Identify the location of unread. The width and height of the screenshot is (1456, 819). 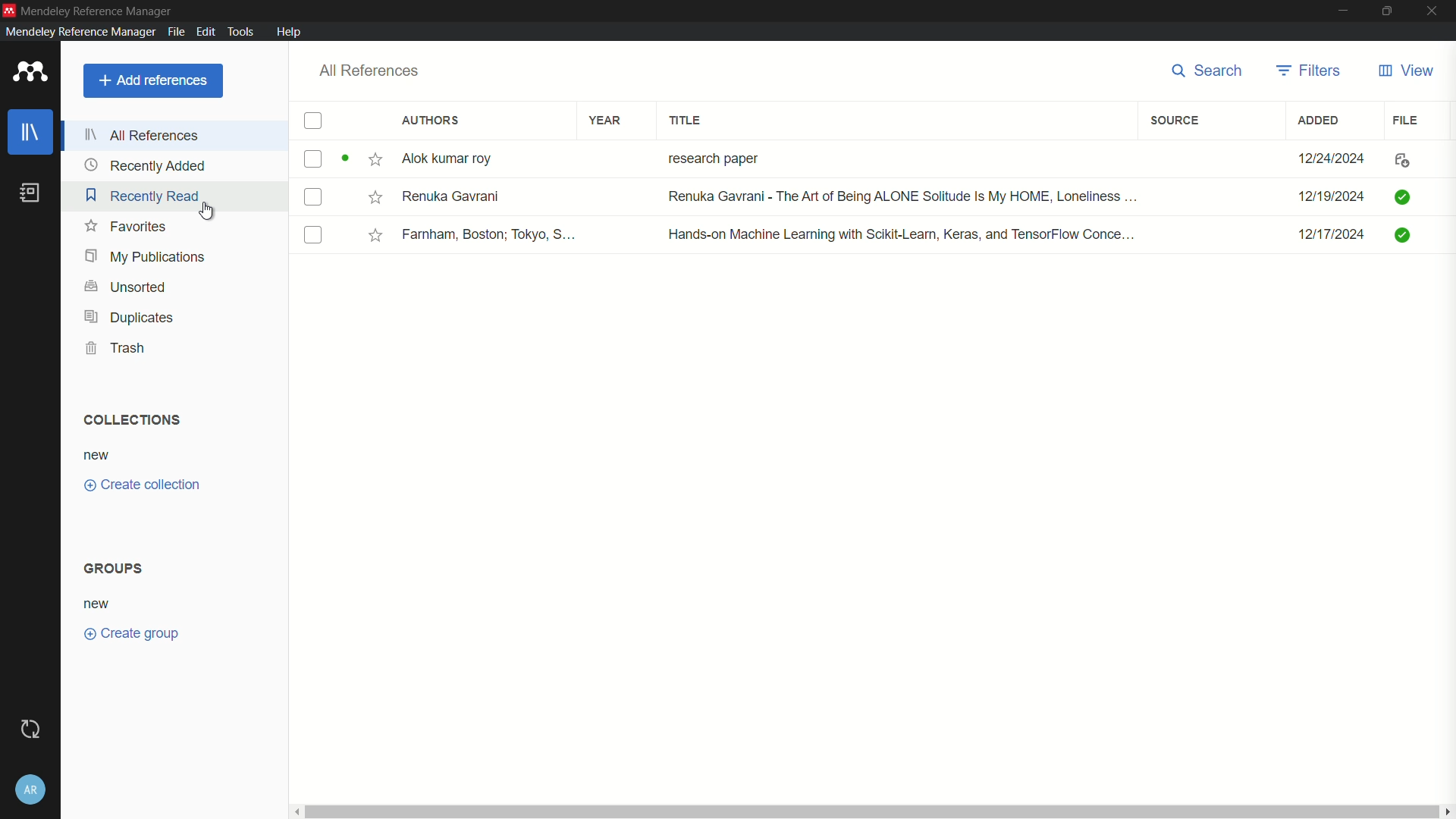
(344, 158).